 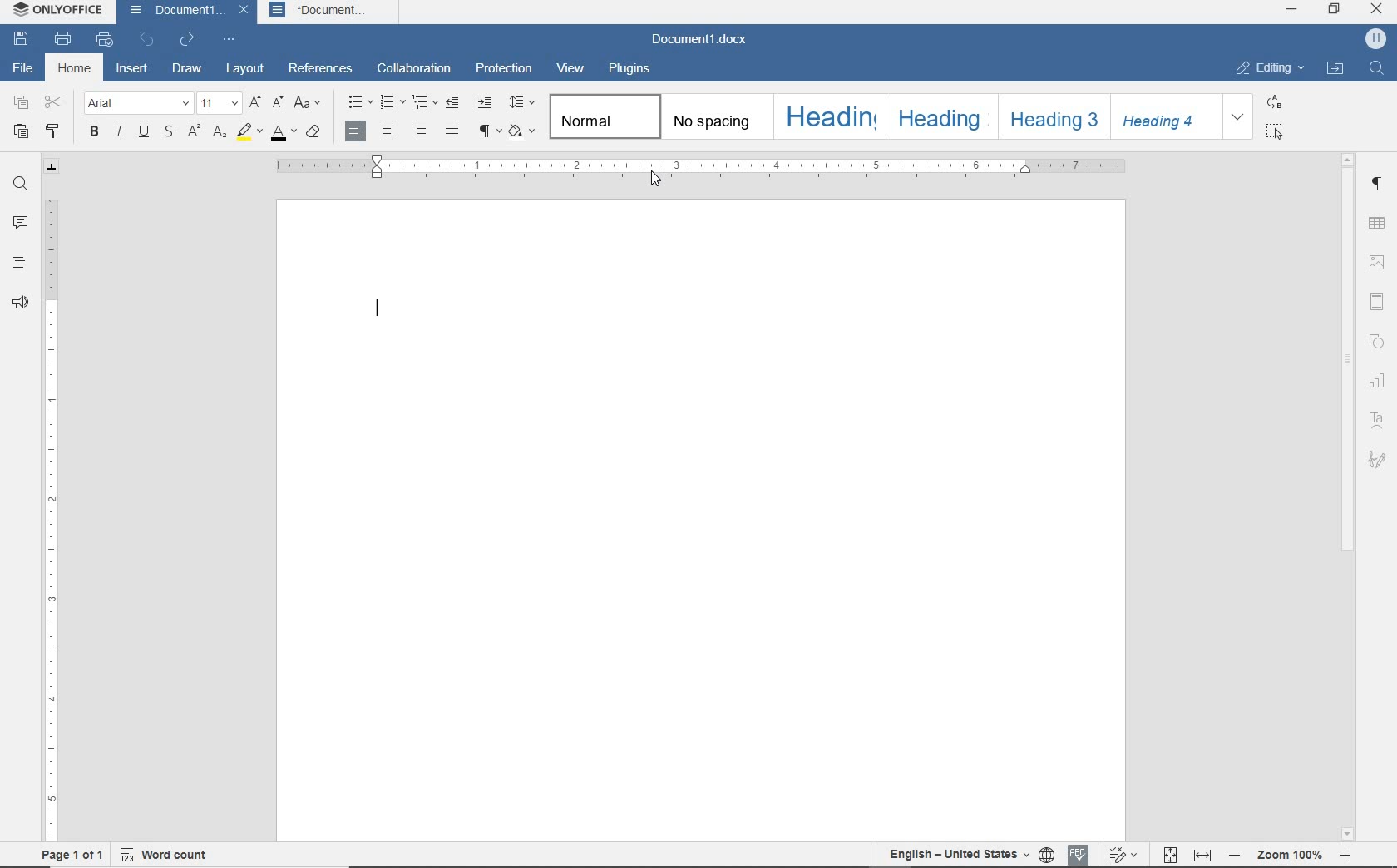 I want to click on DOCUMENT NAME, so click(x=705, y=40).